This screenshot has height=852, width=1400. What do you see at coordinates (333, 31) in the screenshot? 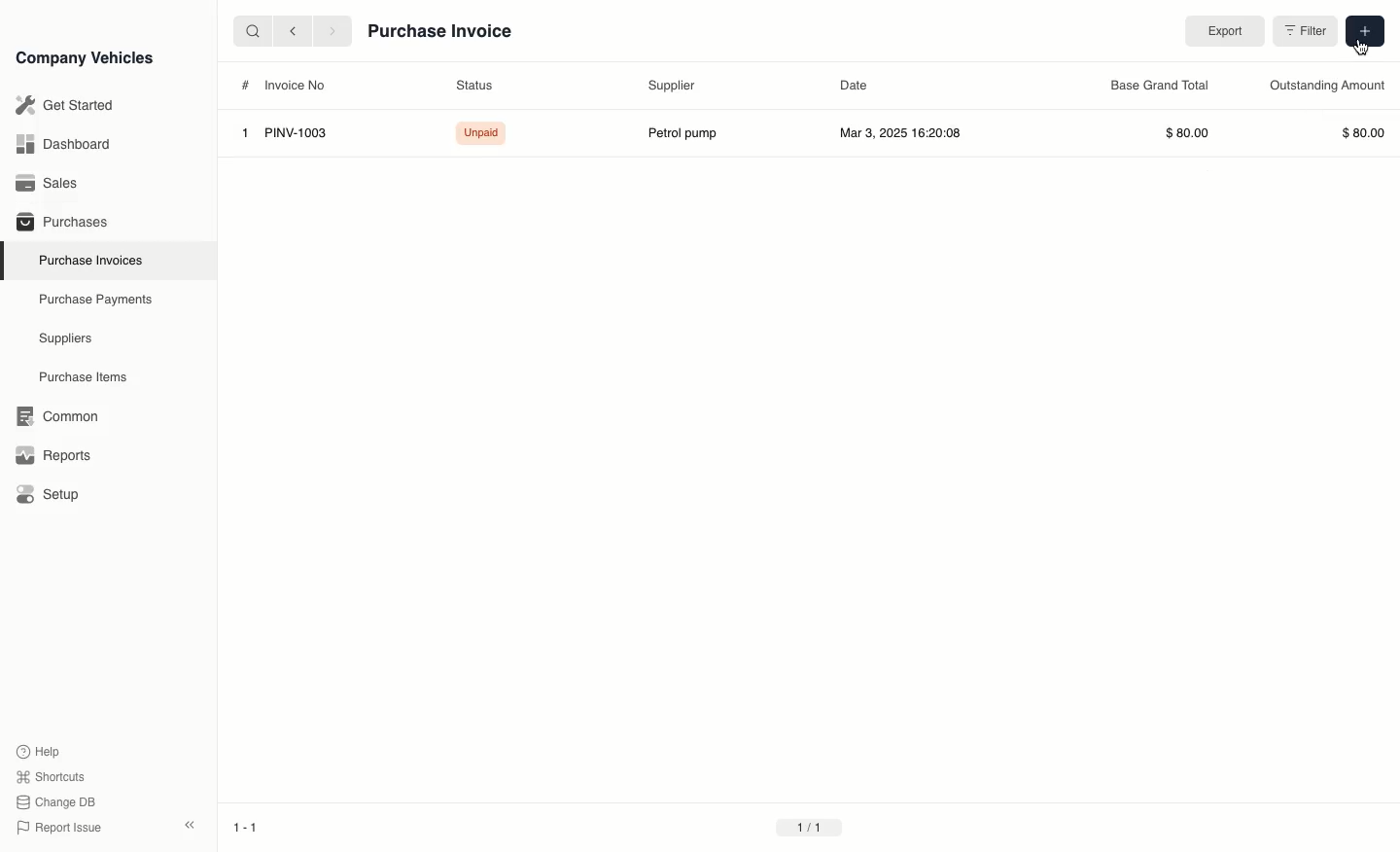
I see `forward` at bounding box center [333, 31].